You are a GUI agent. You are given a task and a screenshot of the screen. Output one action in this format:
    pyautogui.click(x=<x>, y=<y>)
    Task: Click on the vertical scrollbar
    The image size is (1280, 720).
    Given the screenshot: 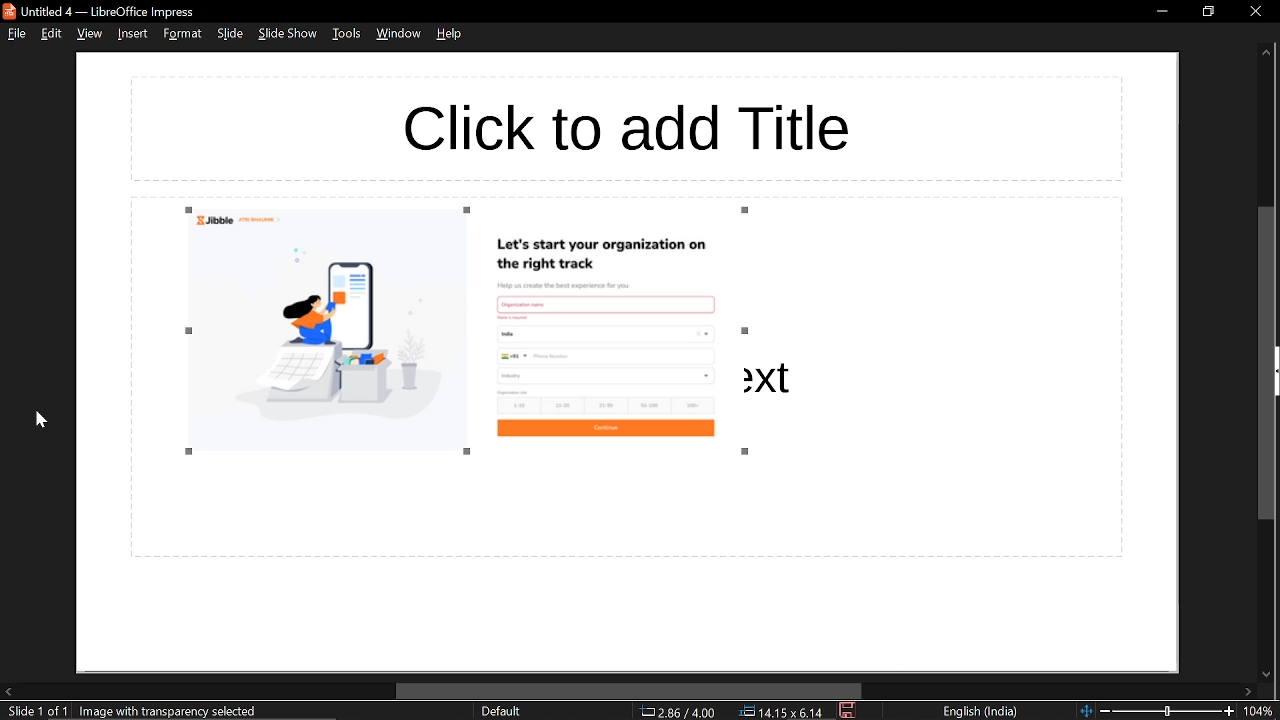 What is the action you would take?
    pyautogui.click(x=1268, y=364)
    